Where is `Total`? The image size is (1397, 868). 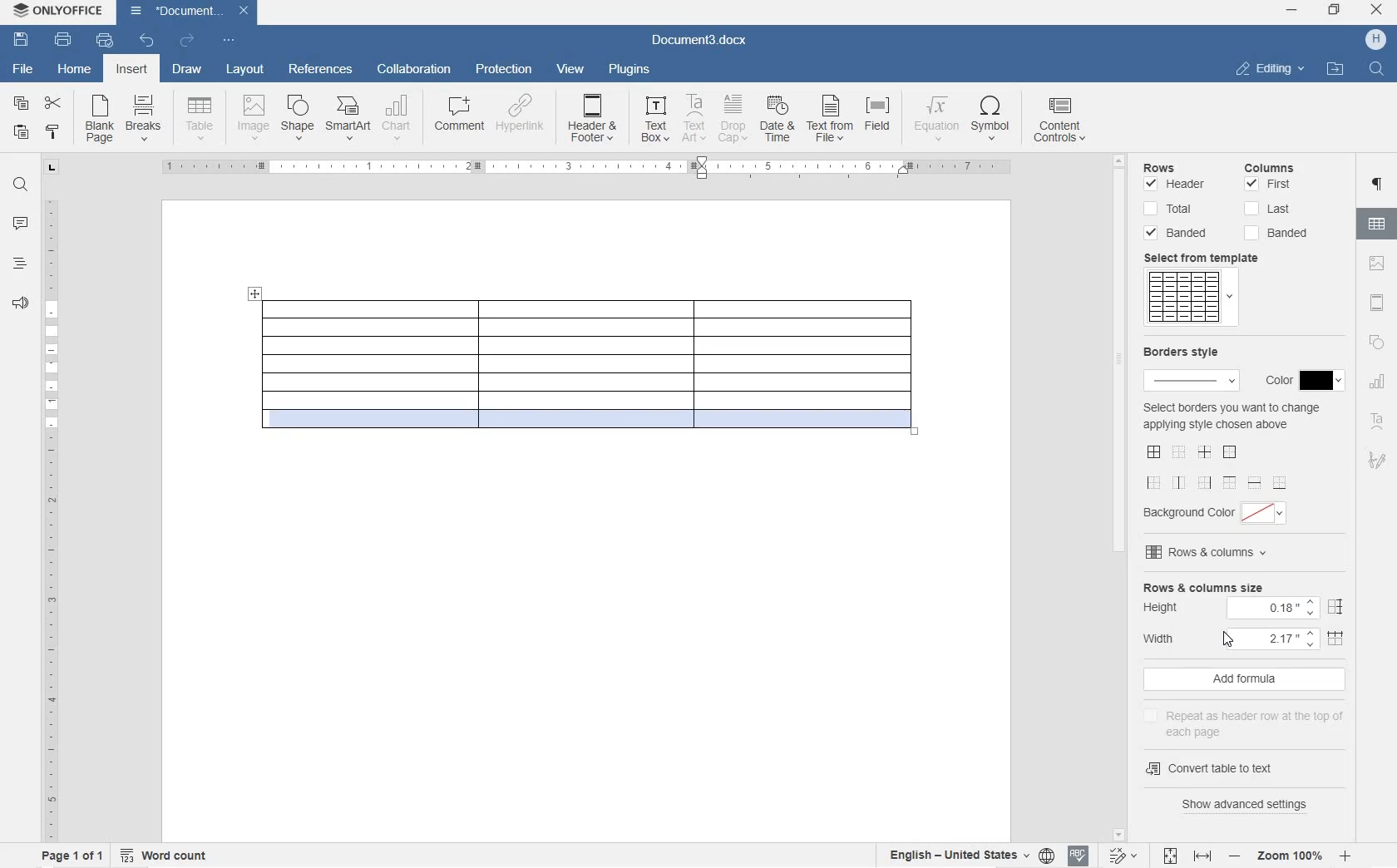
Total is located at coordinates (1171, 209).